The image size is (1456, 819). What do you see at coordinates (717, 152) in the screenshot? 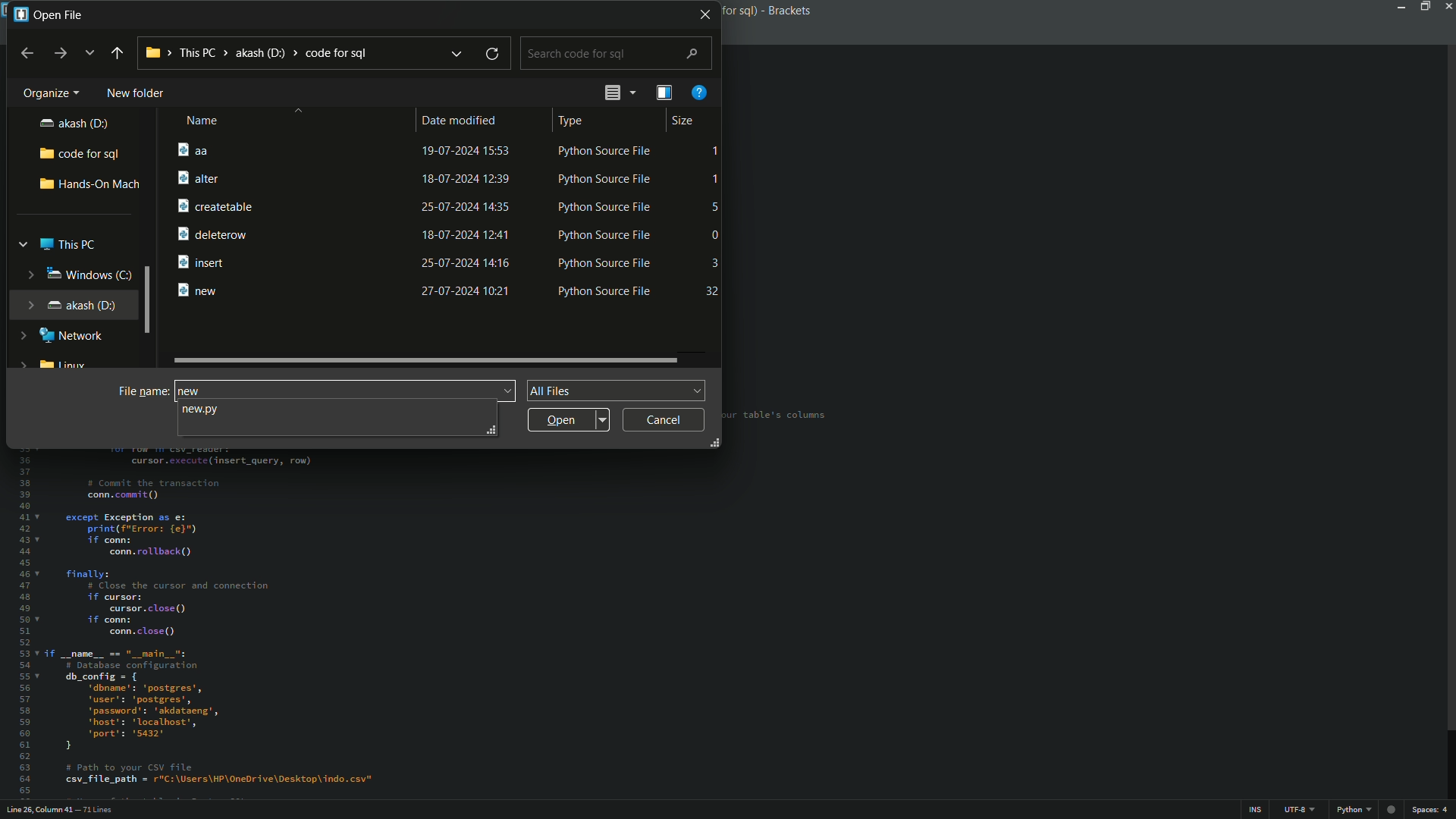
I see `1` at bounding box center [717, 152].